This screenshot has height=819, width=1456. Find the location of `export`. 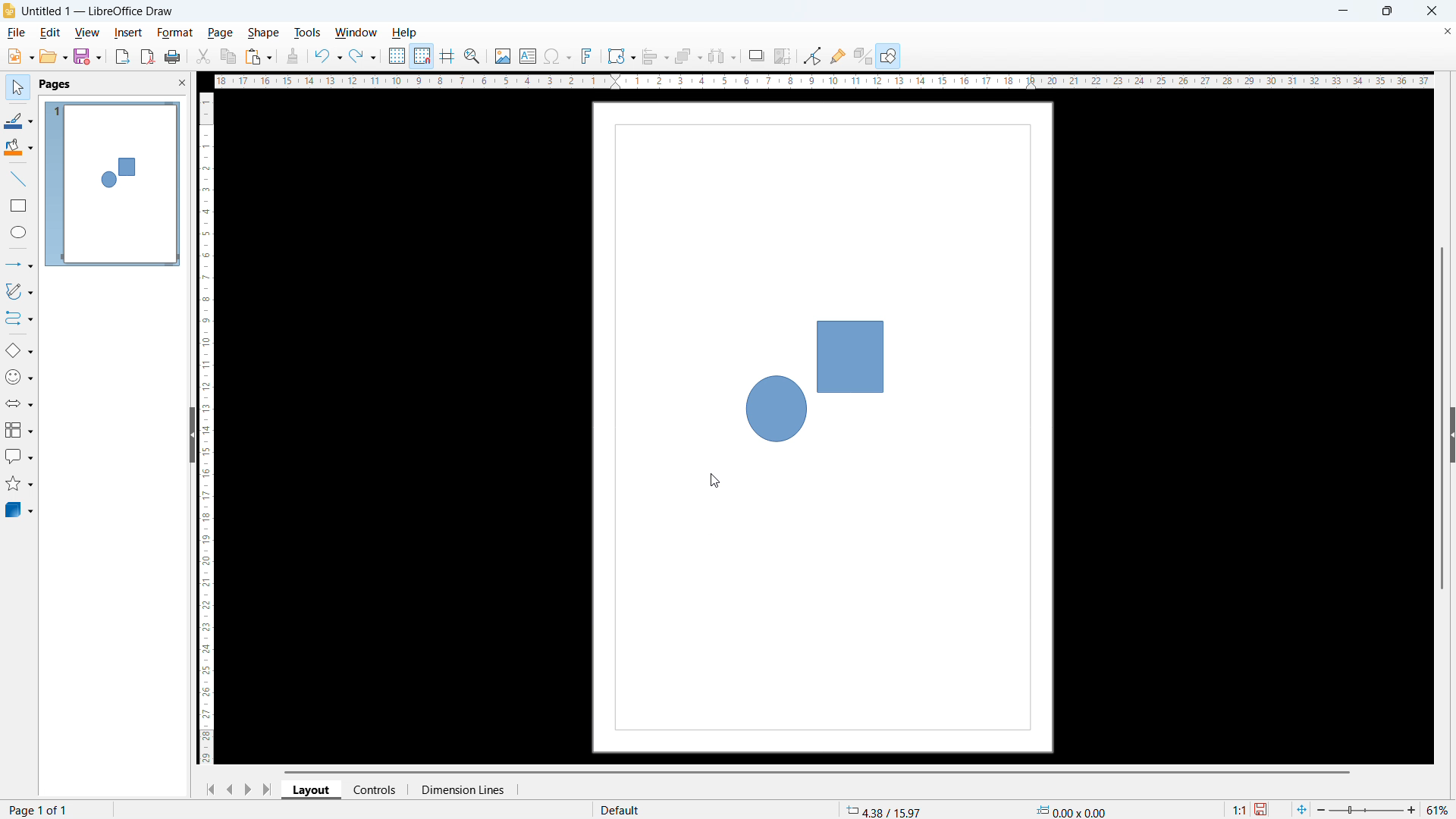

export is located at coordinates (124, 58).